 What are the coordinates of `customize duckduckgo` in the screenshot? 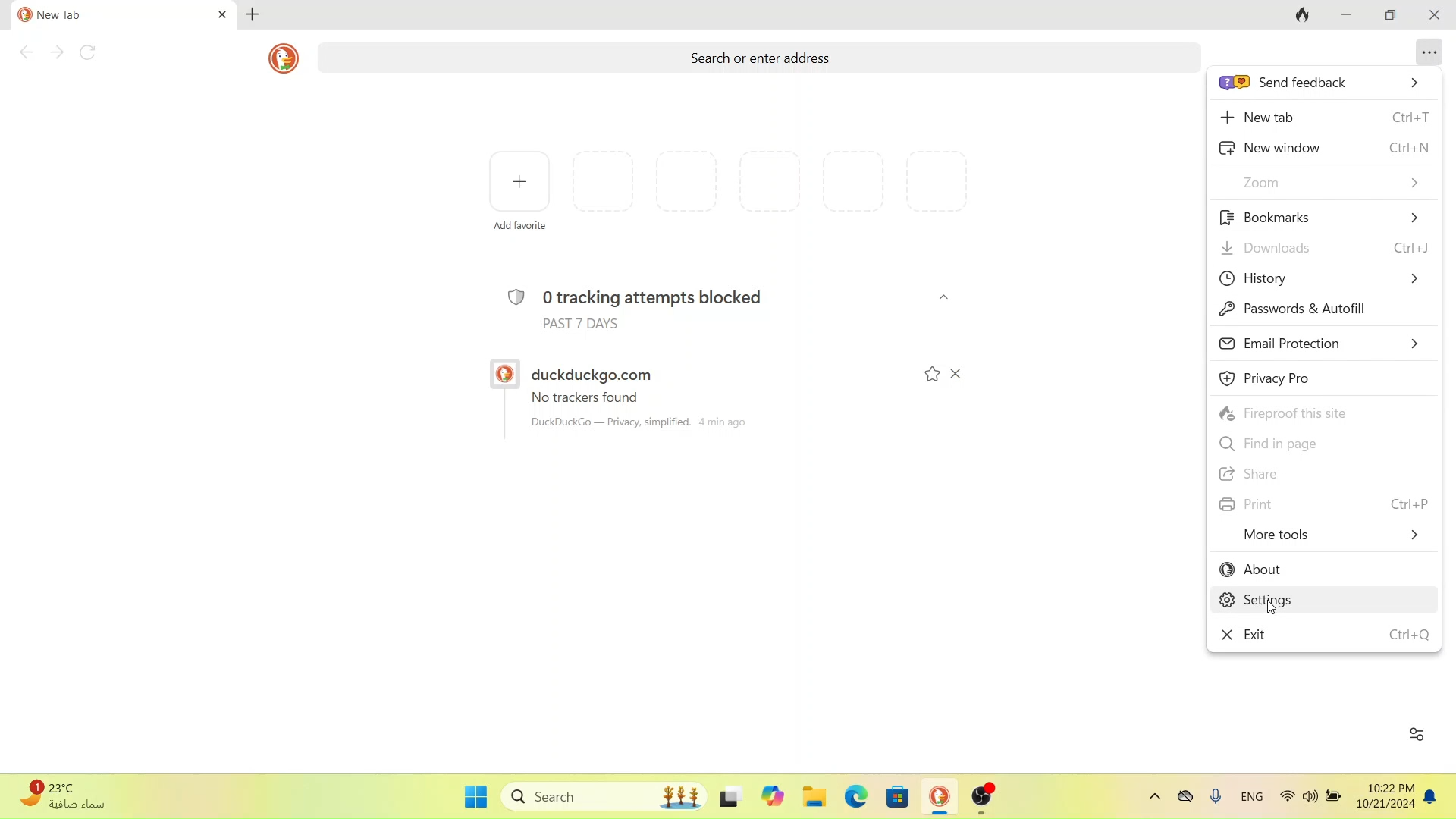 It's located at (1416, 733).